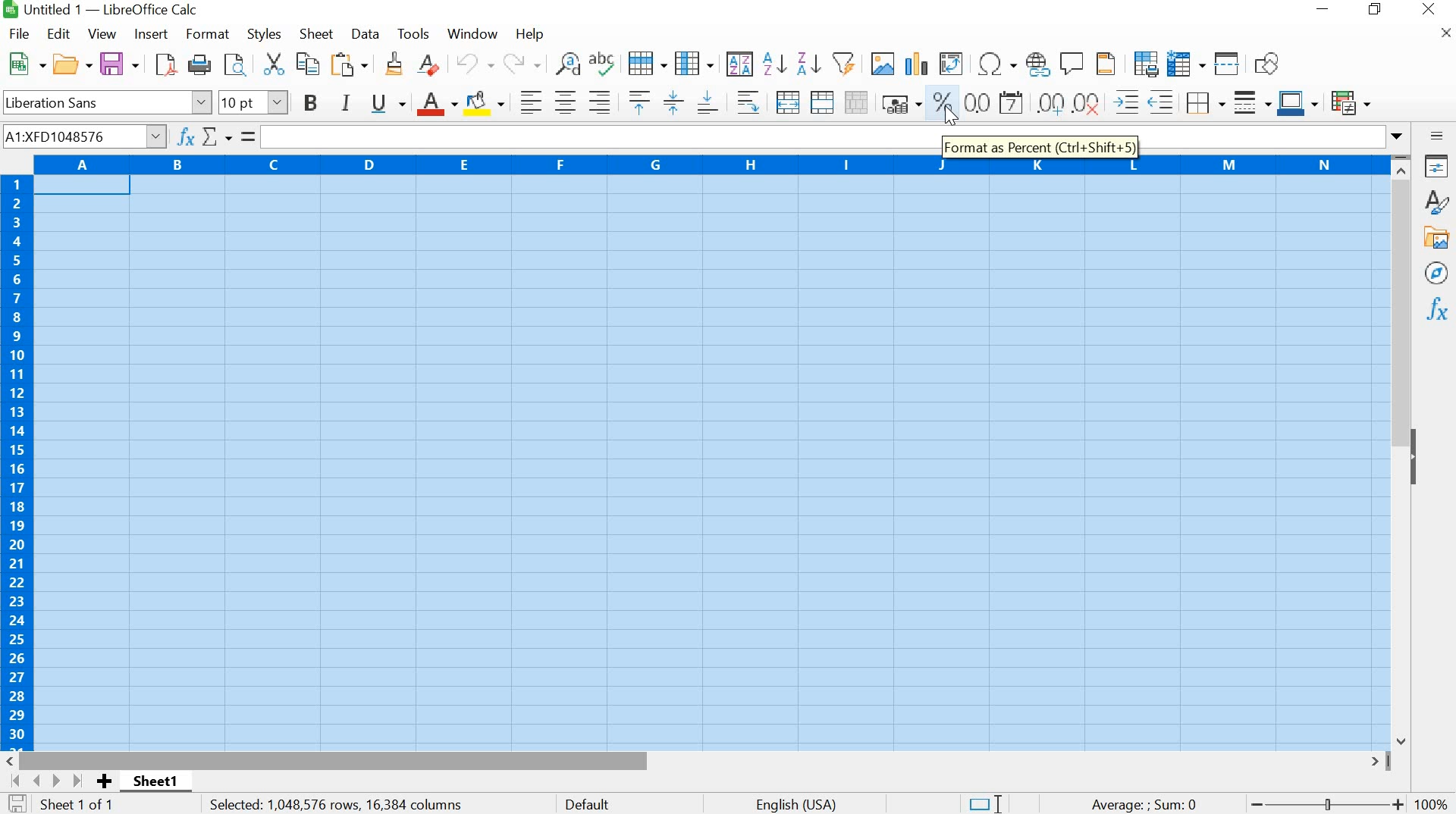  Describe the element at coordinates (318, 34) in the screenshot. I see `SHEET` at that location.